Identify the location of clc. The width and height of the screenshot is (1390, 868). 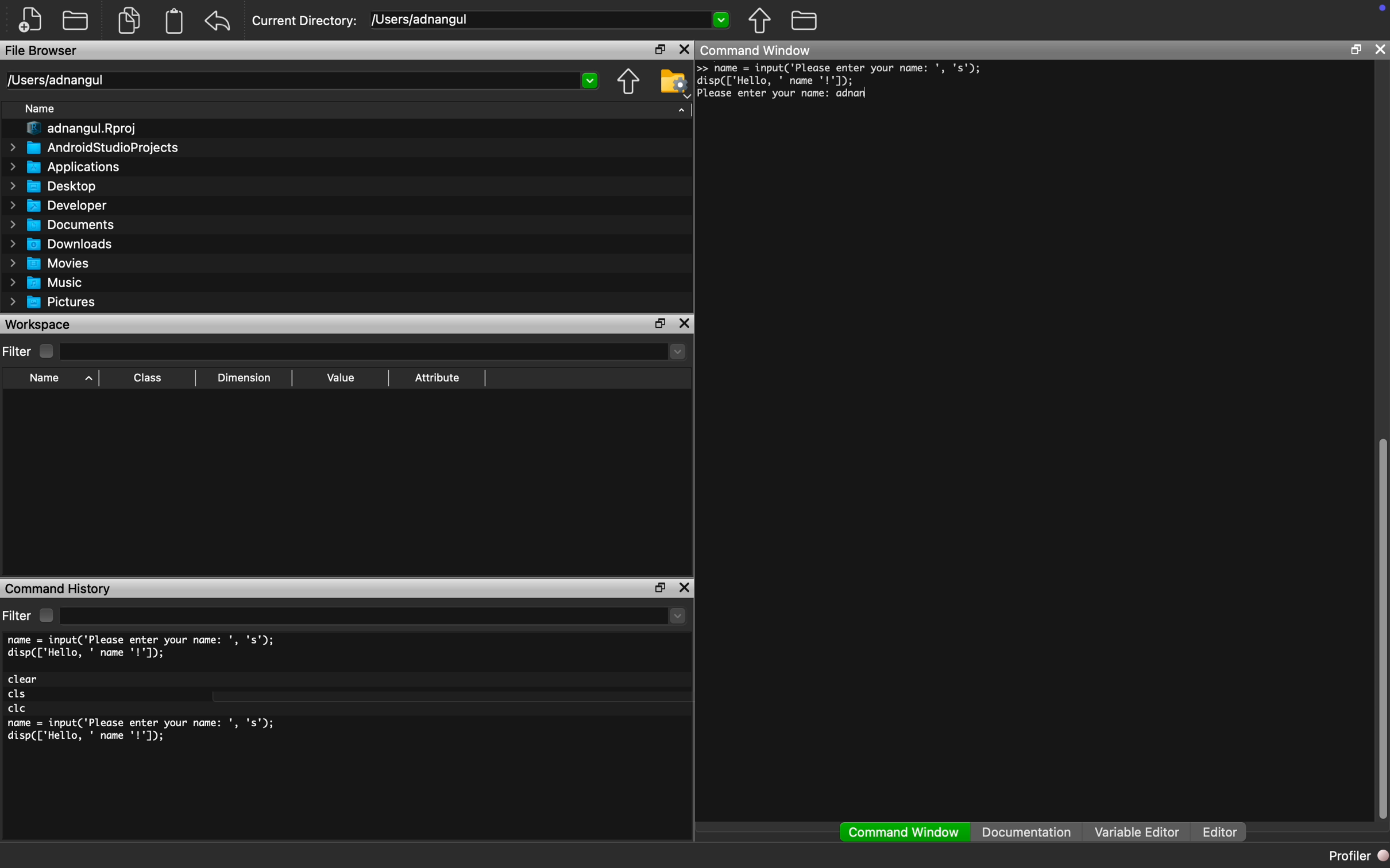
(18, 709).